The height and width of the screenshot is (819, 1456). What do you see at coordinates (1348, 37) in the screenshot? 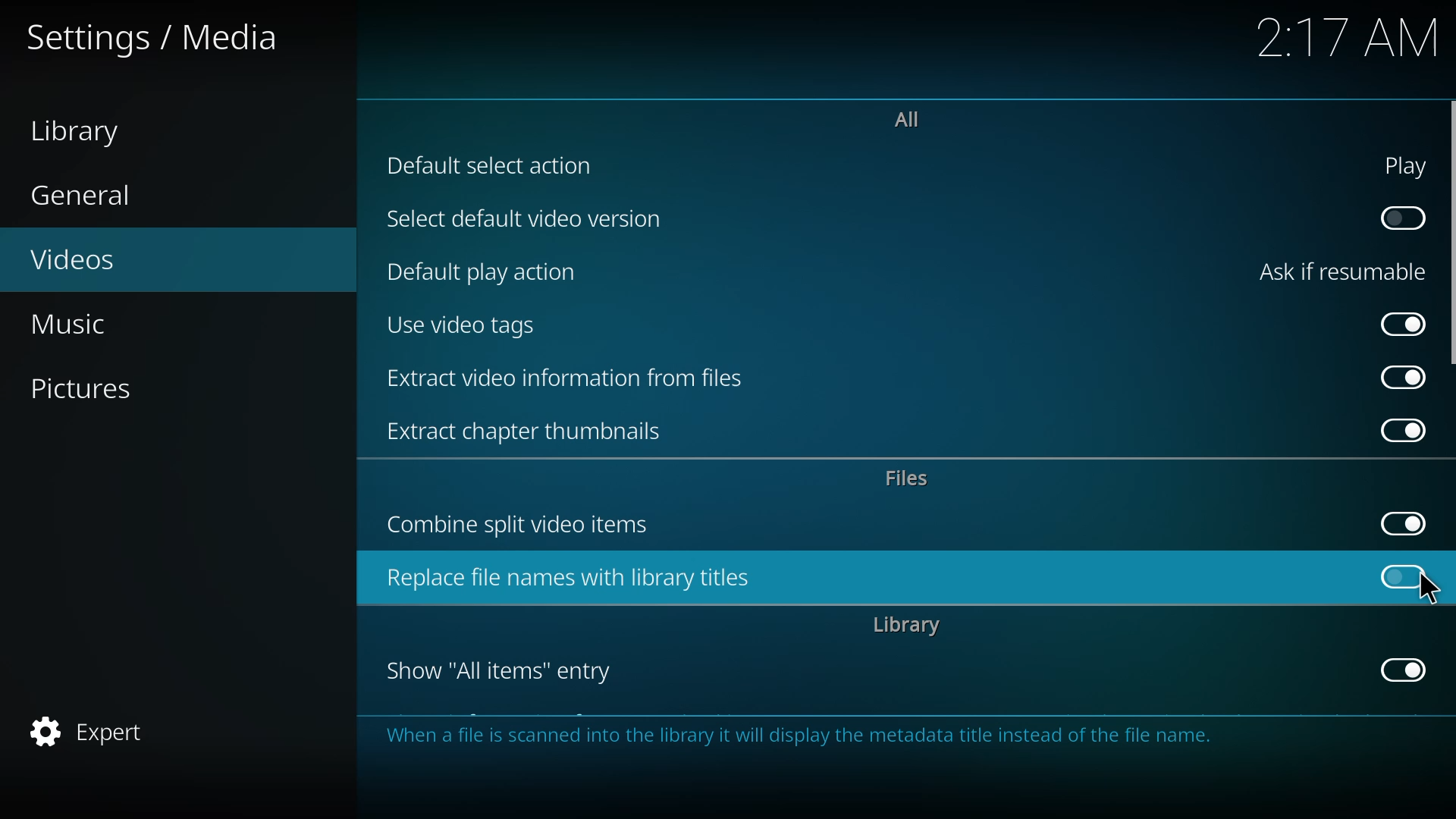
I see `time` at bounding box center [1348, 37].